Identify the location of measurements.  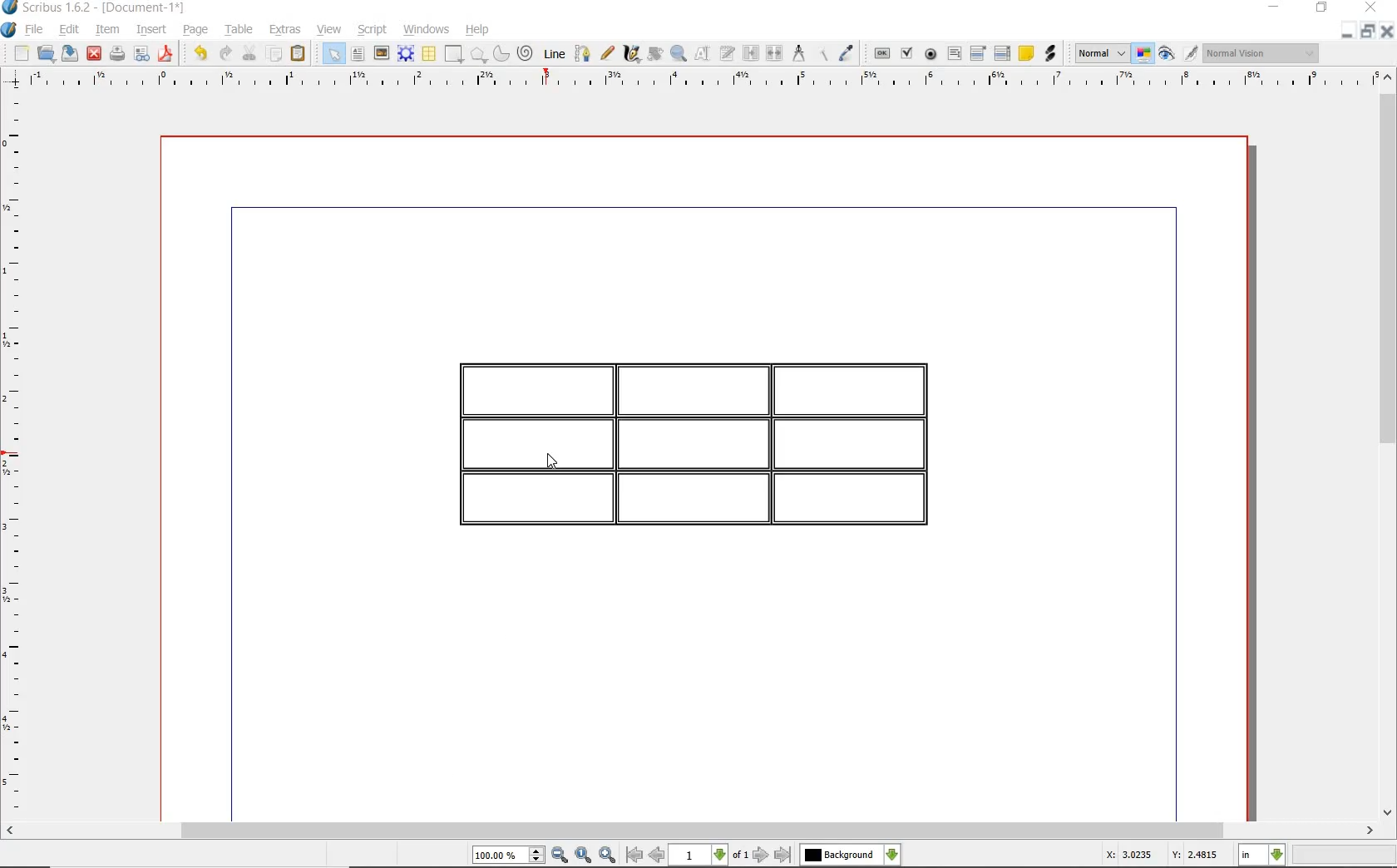
(799, 52).